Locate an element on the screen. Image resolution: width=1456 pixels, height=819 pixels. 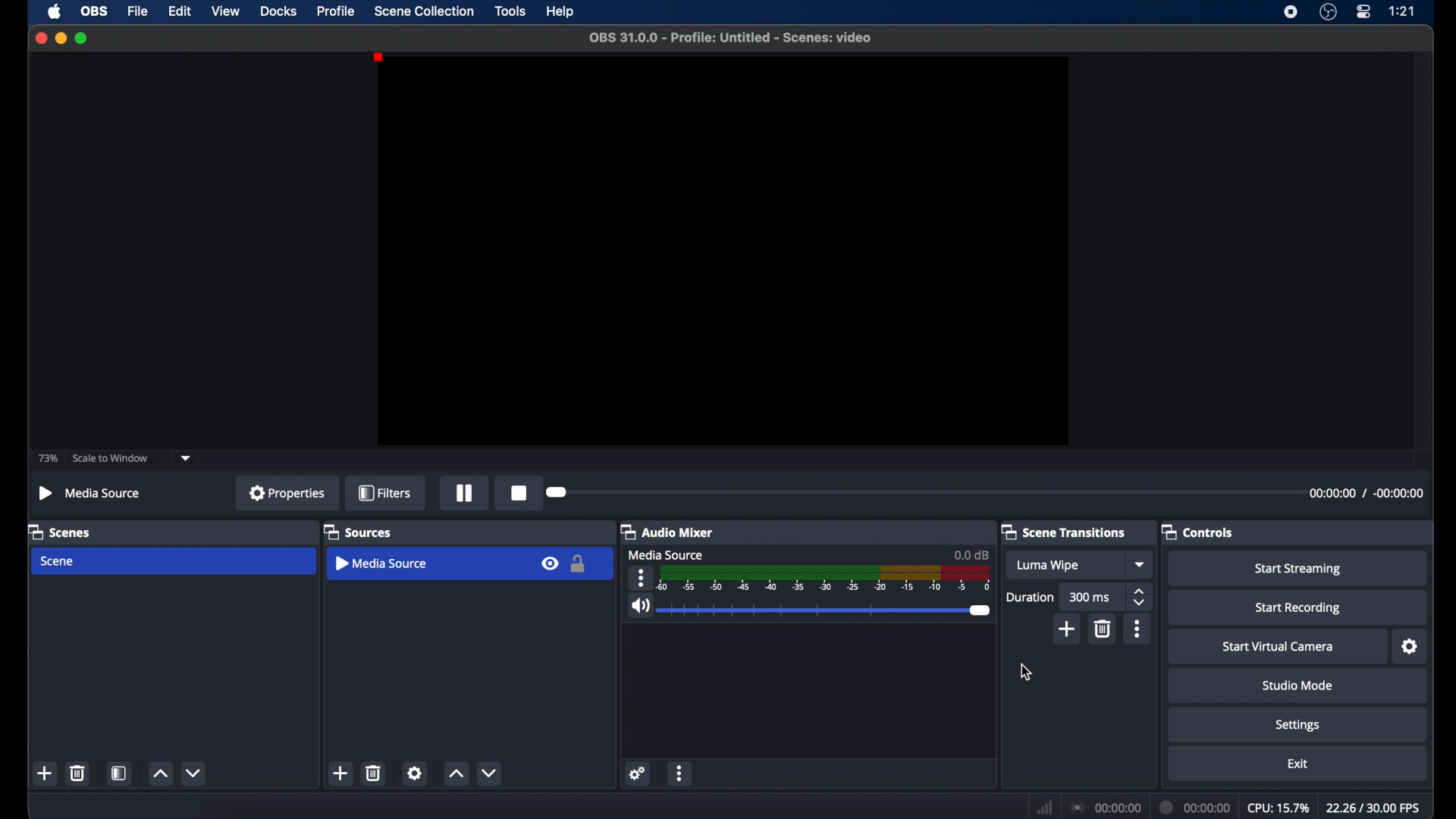
73% is located at coordinates (47, 457).